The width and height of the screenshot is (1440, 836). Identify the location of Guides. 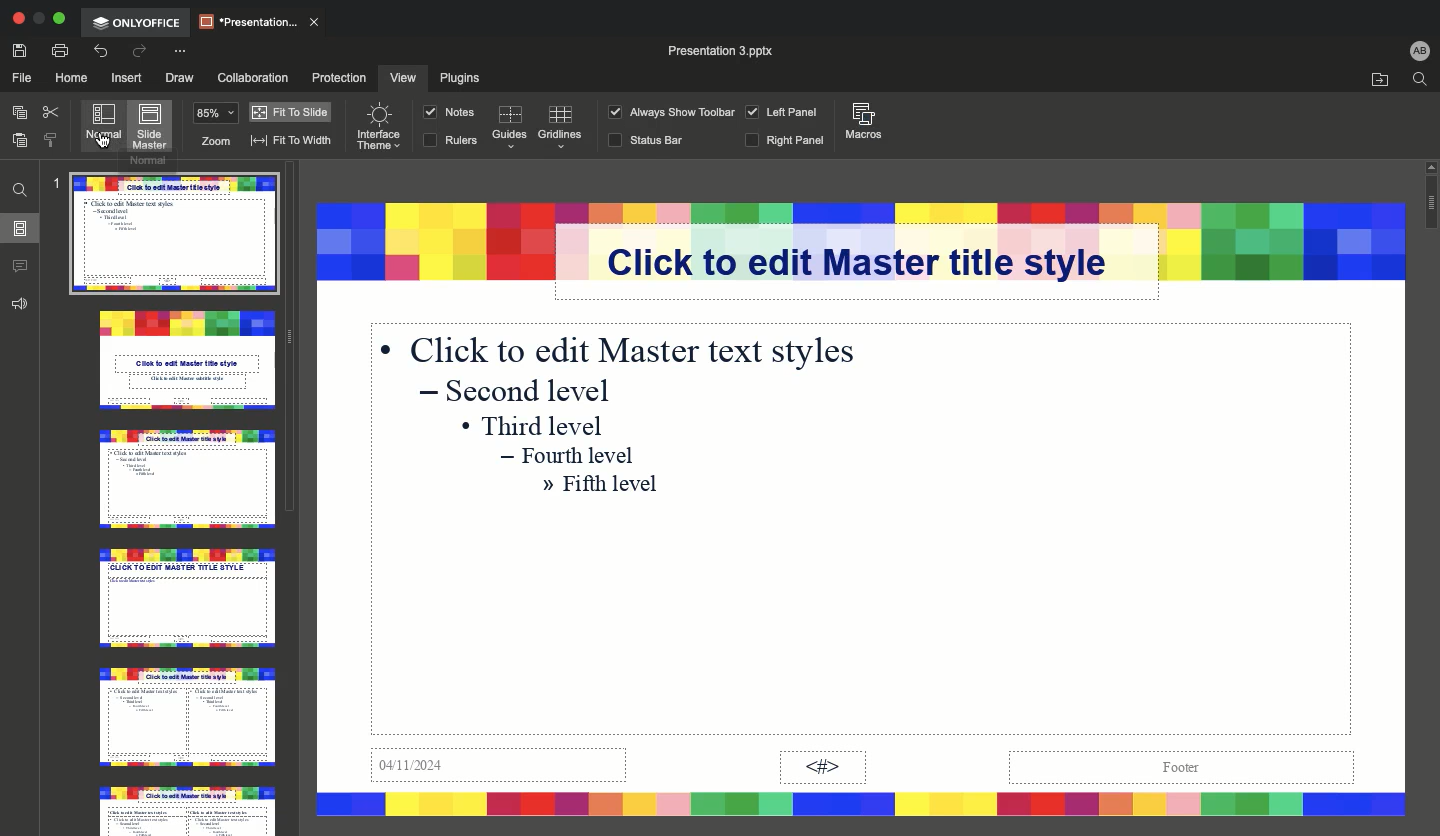
(507, 128).